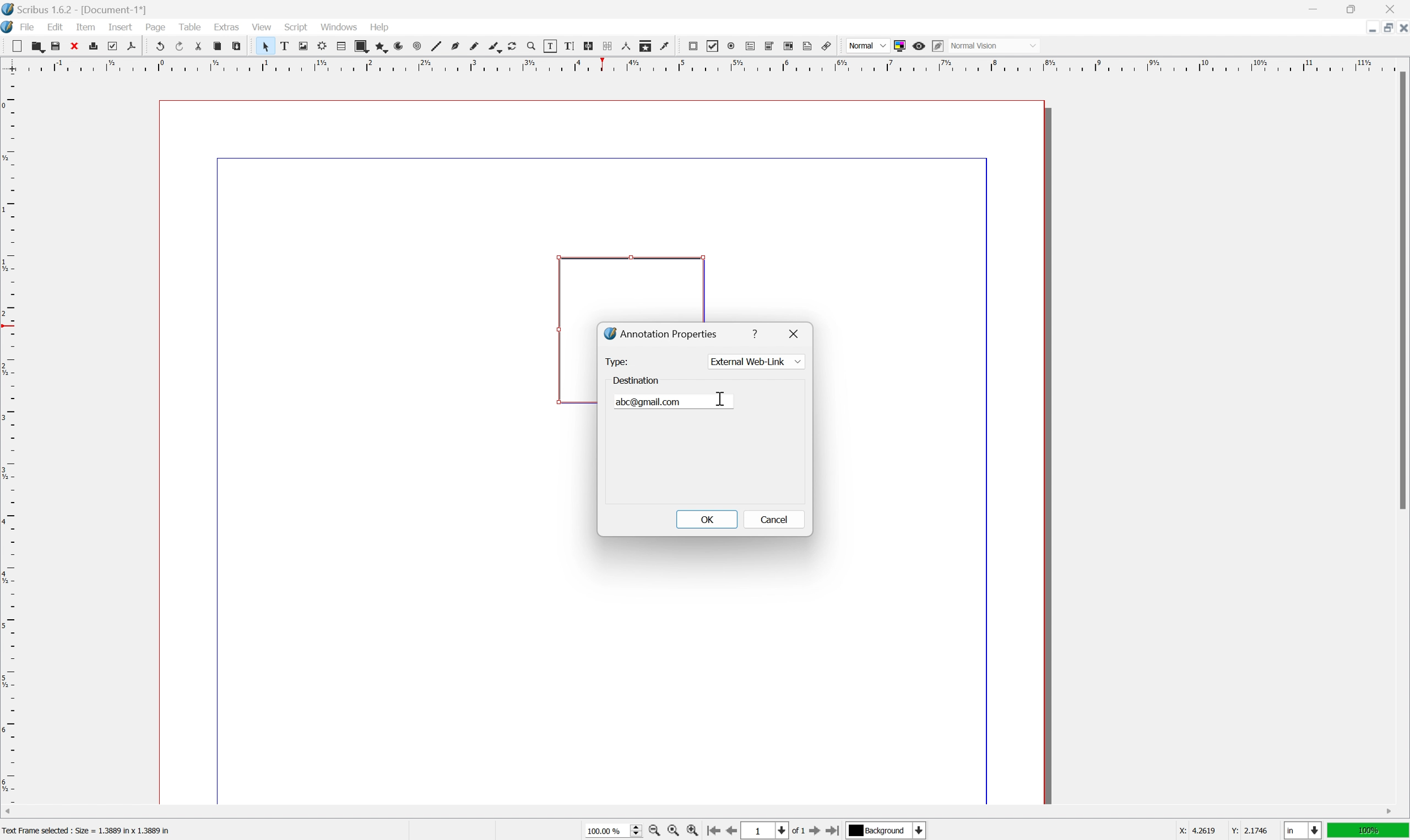  Describe the element at coordinates (888, 831) in the screenshot. I see `select current layer` at that location.